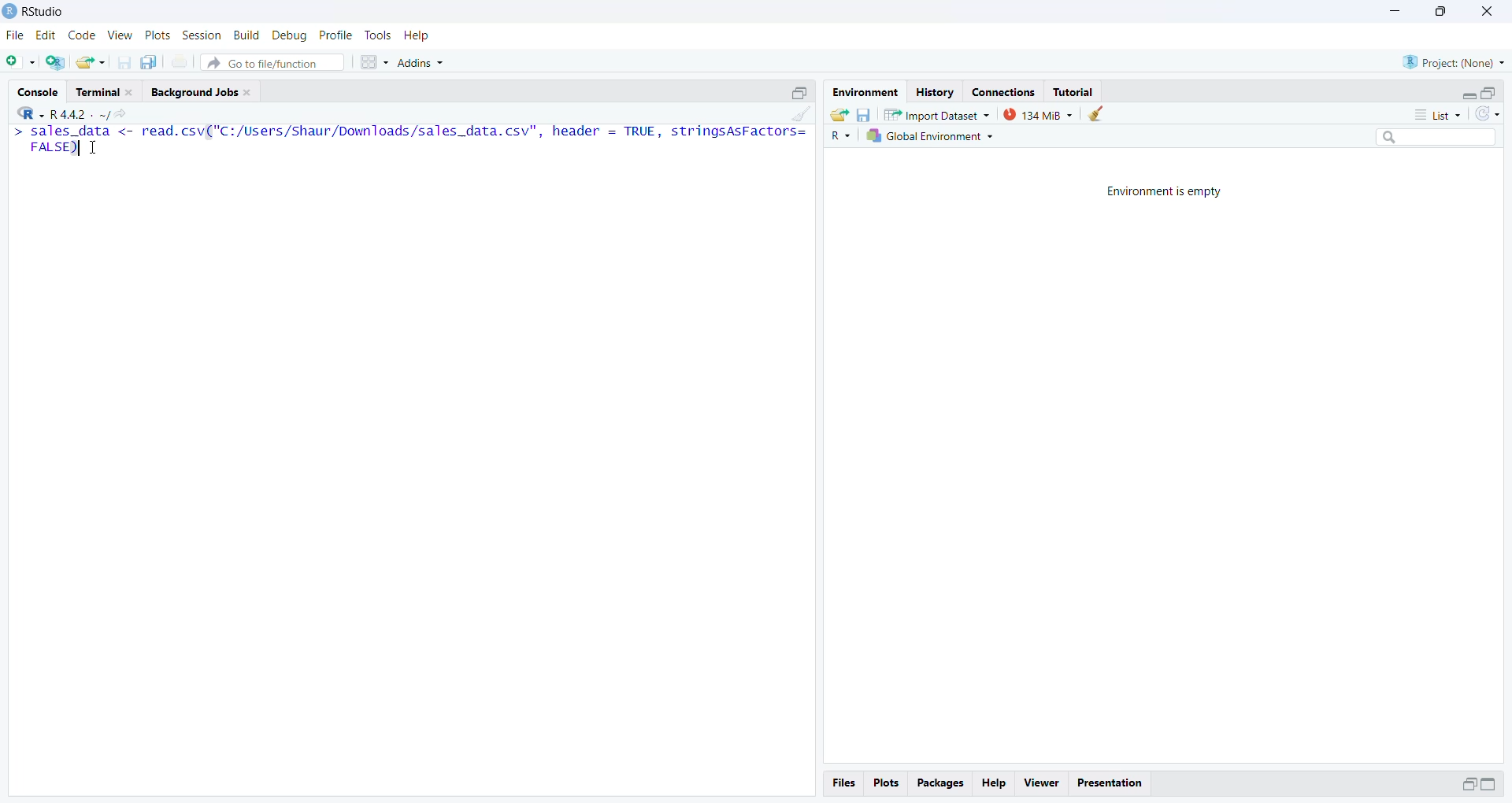 Image resolution: width=1512 pixels, height=803 pixels. I want to click on R+ XK ~R4sl- ~/, so click(72, 114).